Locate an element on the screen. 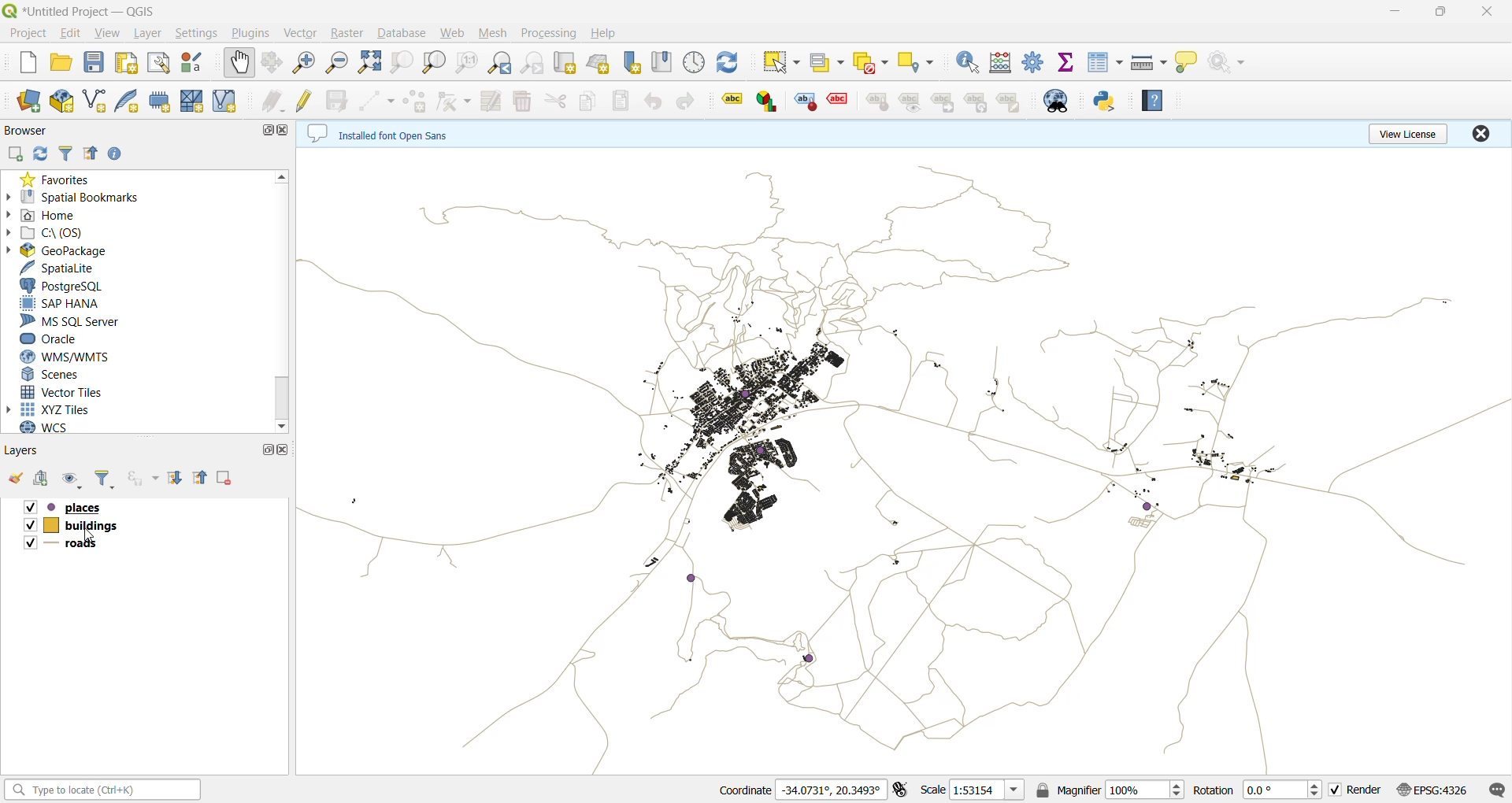  crs is located at coordinates (1440, 789).